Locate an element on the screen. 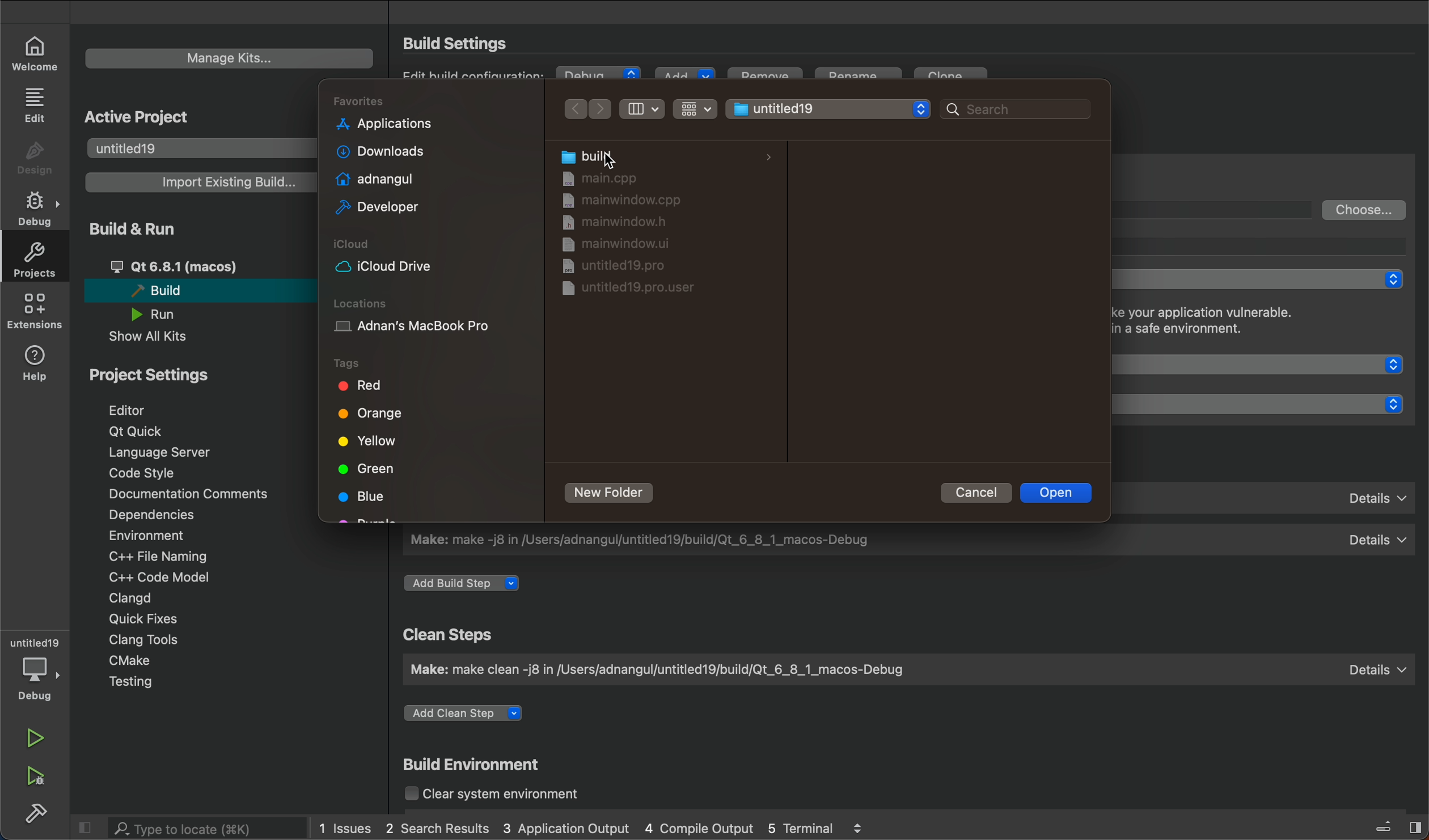 The width and height of the screenshot is (1429, 840). blue is located at coordinates (365, 498).